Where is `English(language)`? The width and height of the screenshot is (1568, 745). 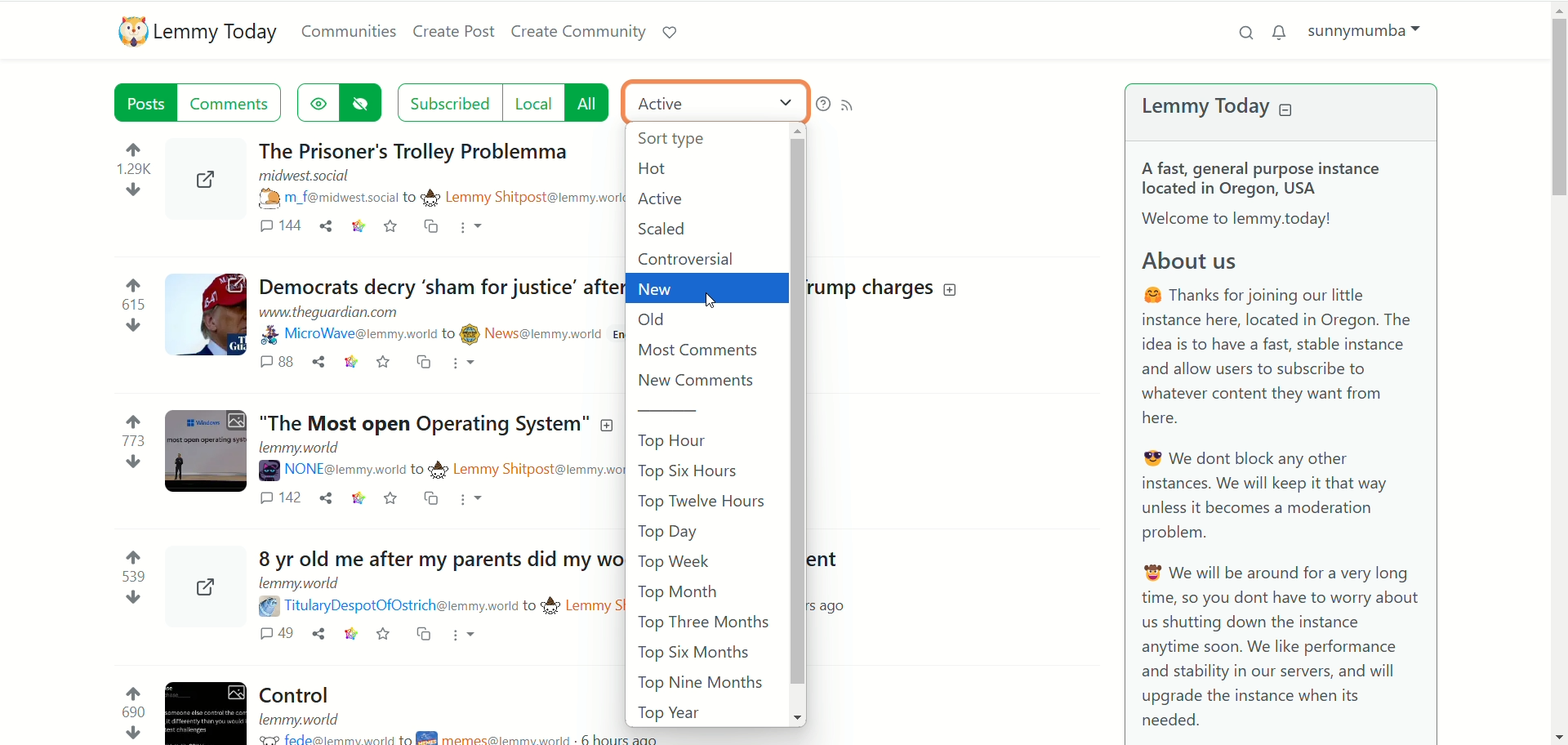 English(language) is located at coordinates (658, 201).